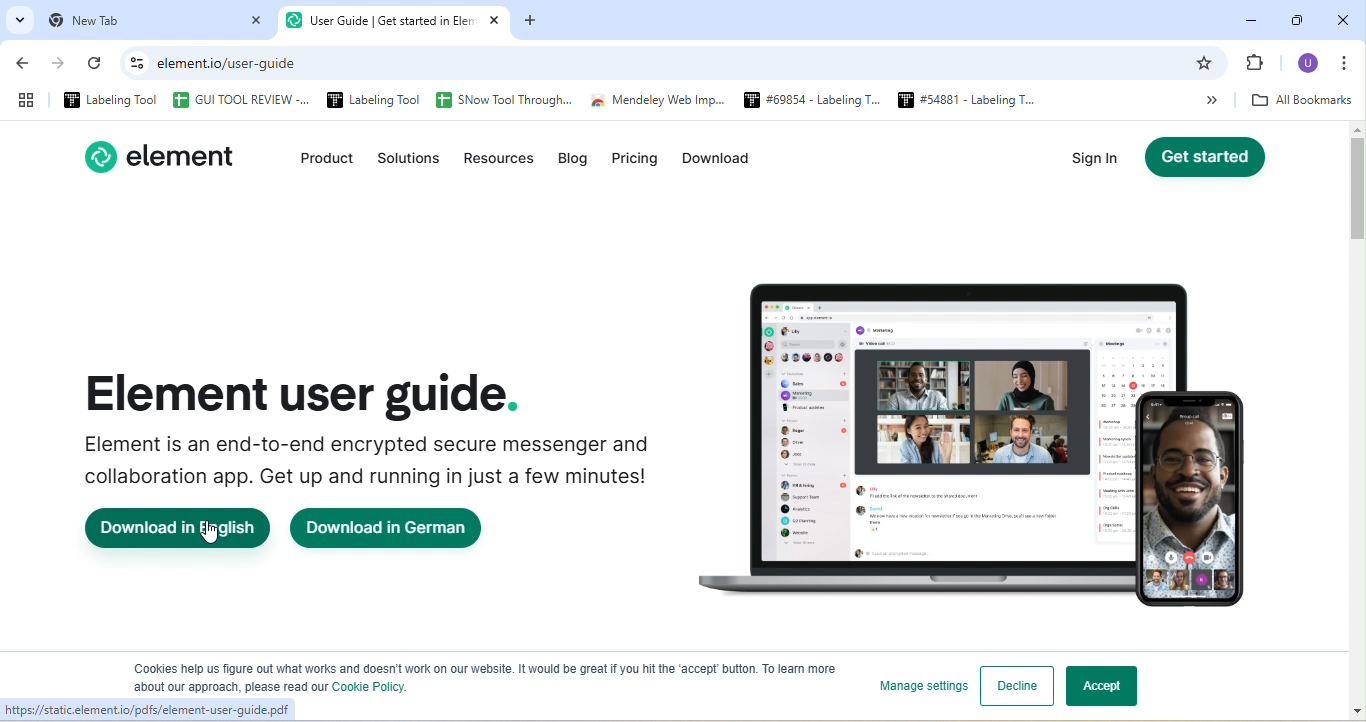 This screenshot has height=722, width=1366. Describe the element at coordinates (97, 67) in the screenshot. I see `reload the page` at that location.